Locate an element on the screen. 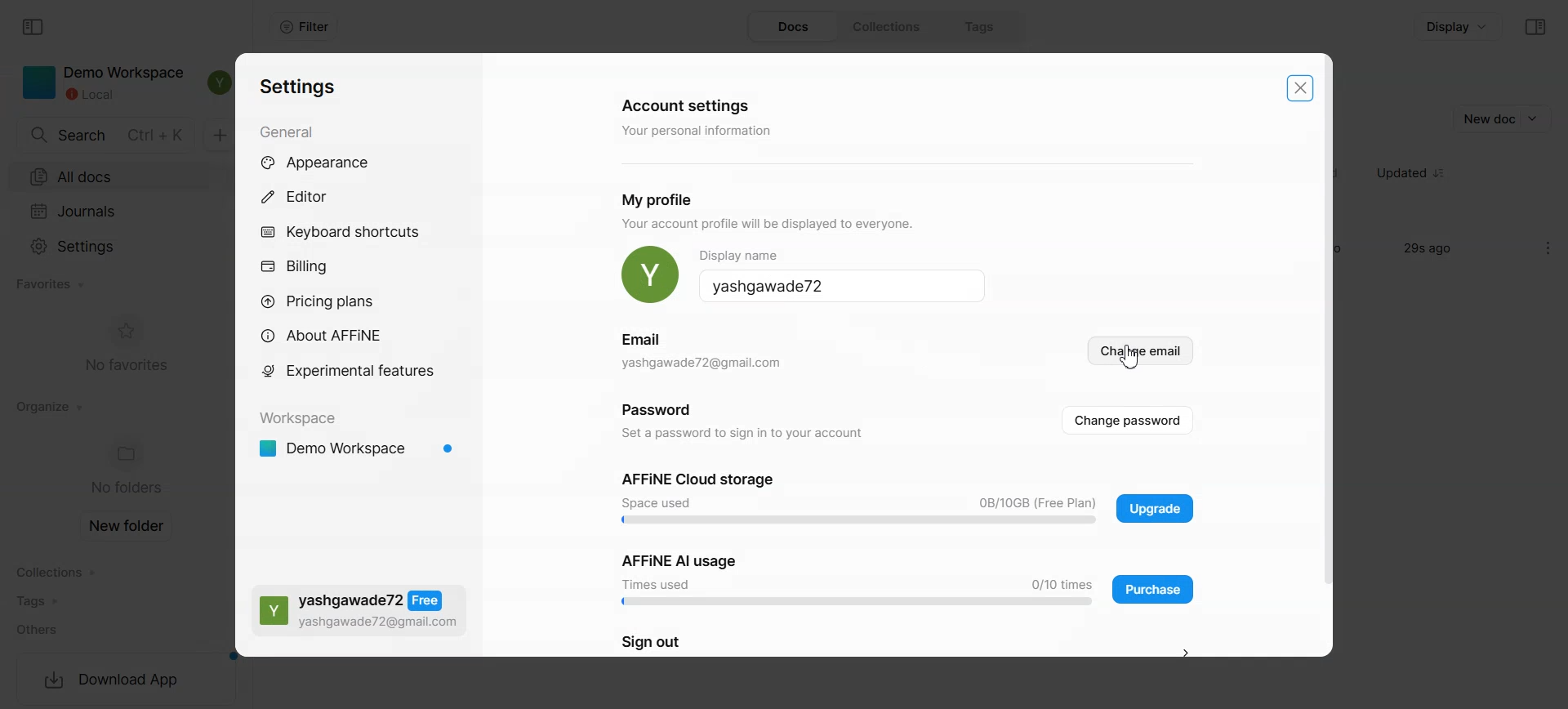 The height and width of the screenshot is (709, 1568). Appearance is located at coordinates (360, 162).